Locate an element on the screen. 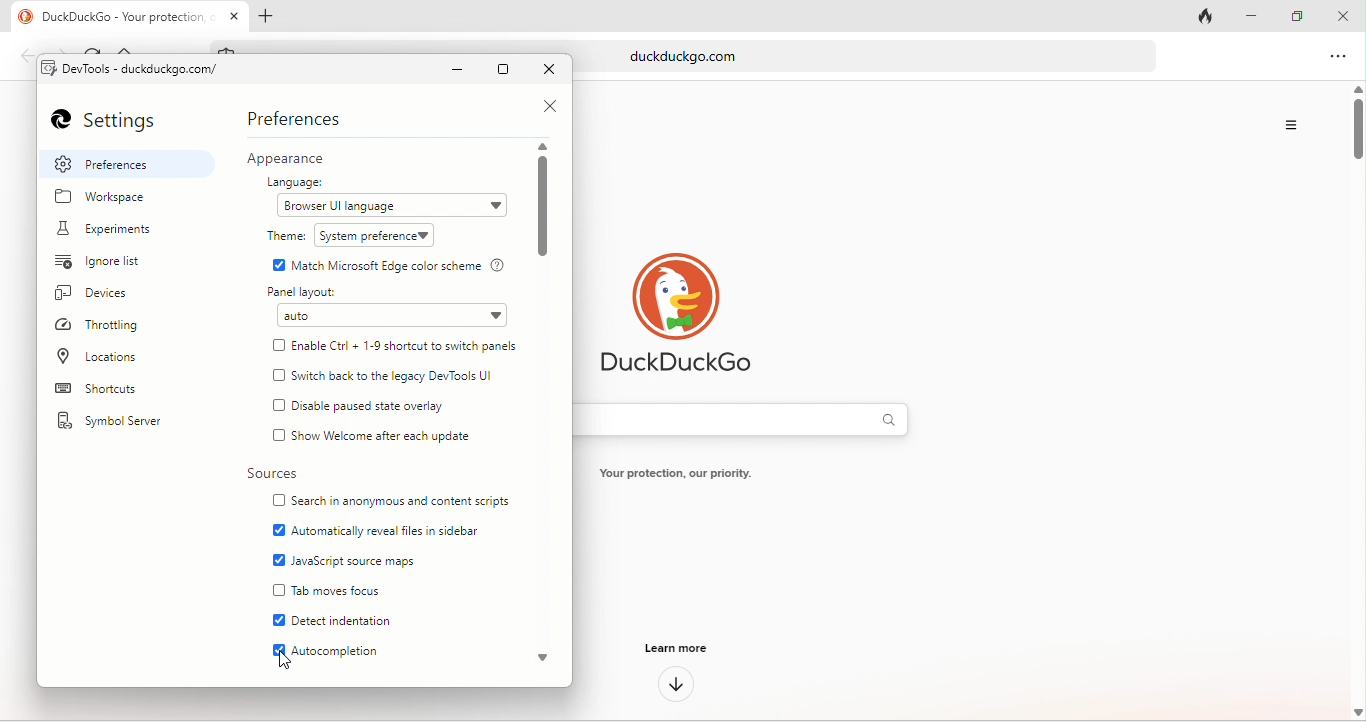  autocompletion is located at coordinates (342, 653).